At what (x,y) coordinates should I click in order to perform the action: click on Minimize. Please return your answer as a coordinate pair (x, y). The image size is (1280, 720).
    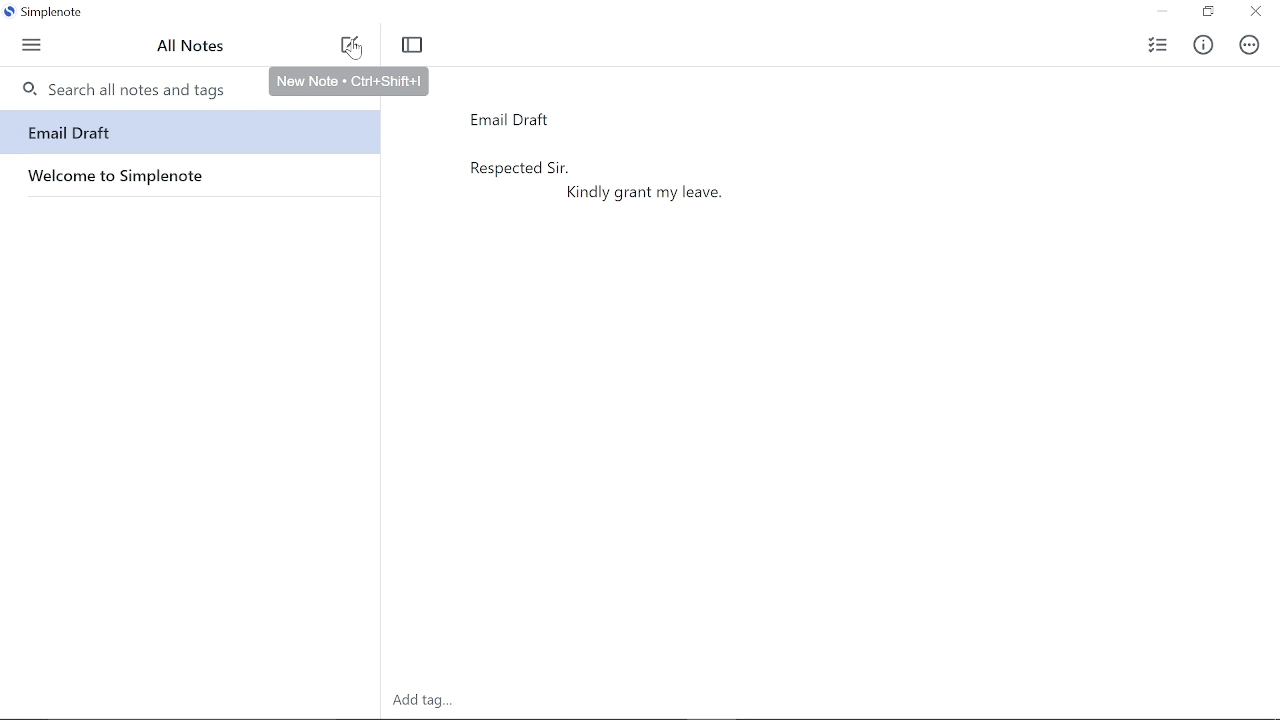
    Looking at the image, I should click on (1163, 12).